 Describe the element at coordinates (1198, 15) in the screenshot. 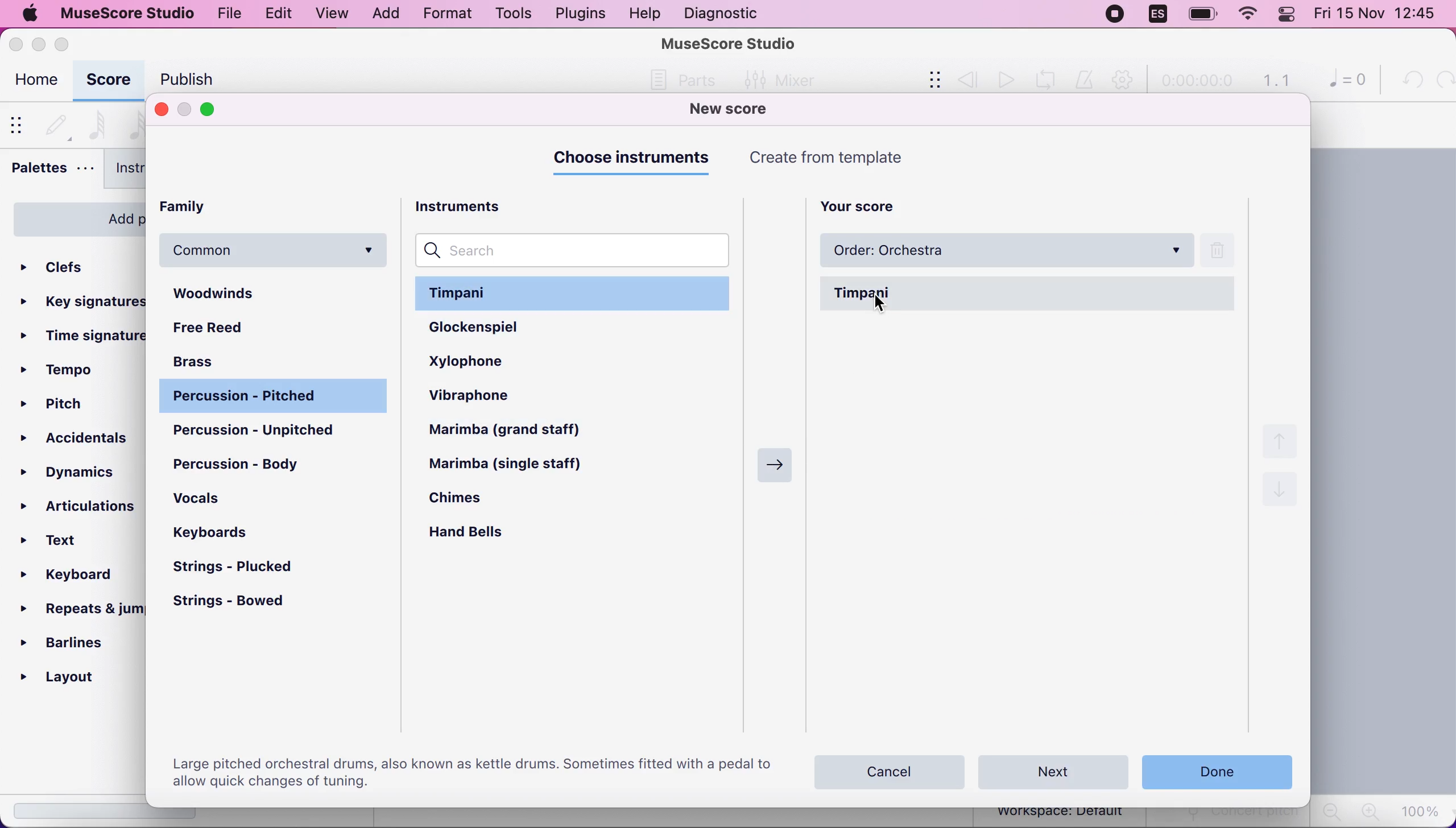

I see `battery` at that location.